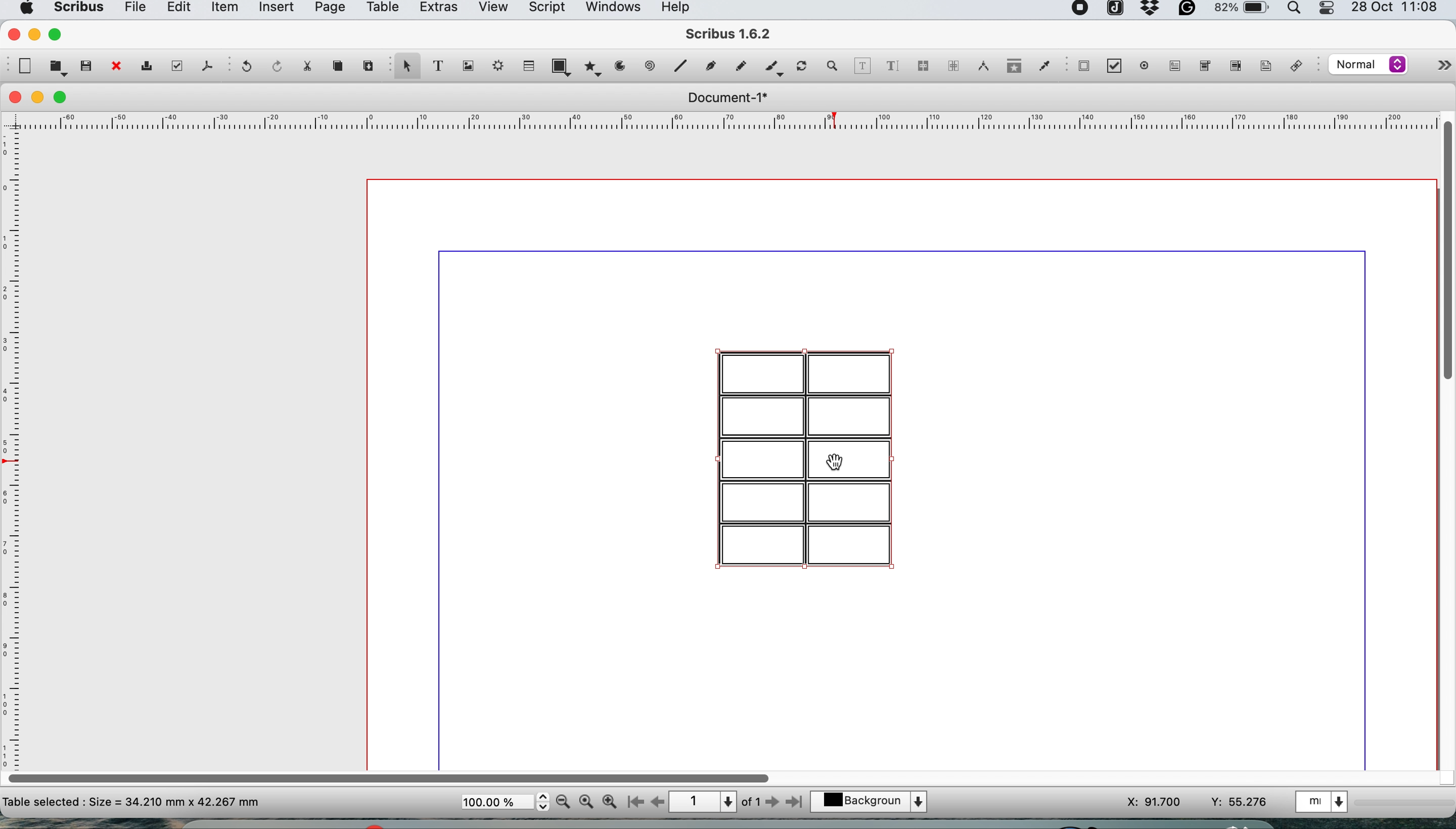 The image size is (1456, 829). I want to click on unlink text frames, so click(953, 69).